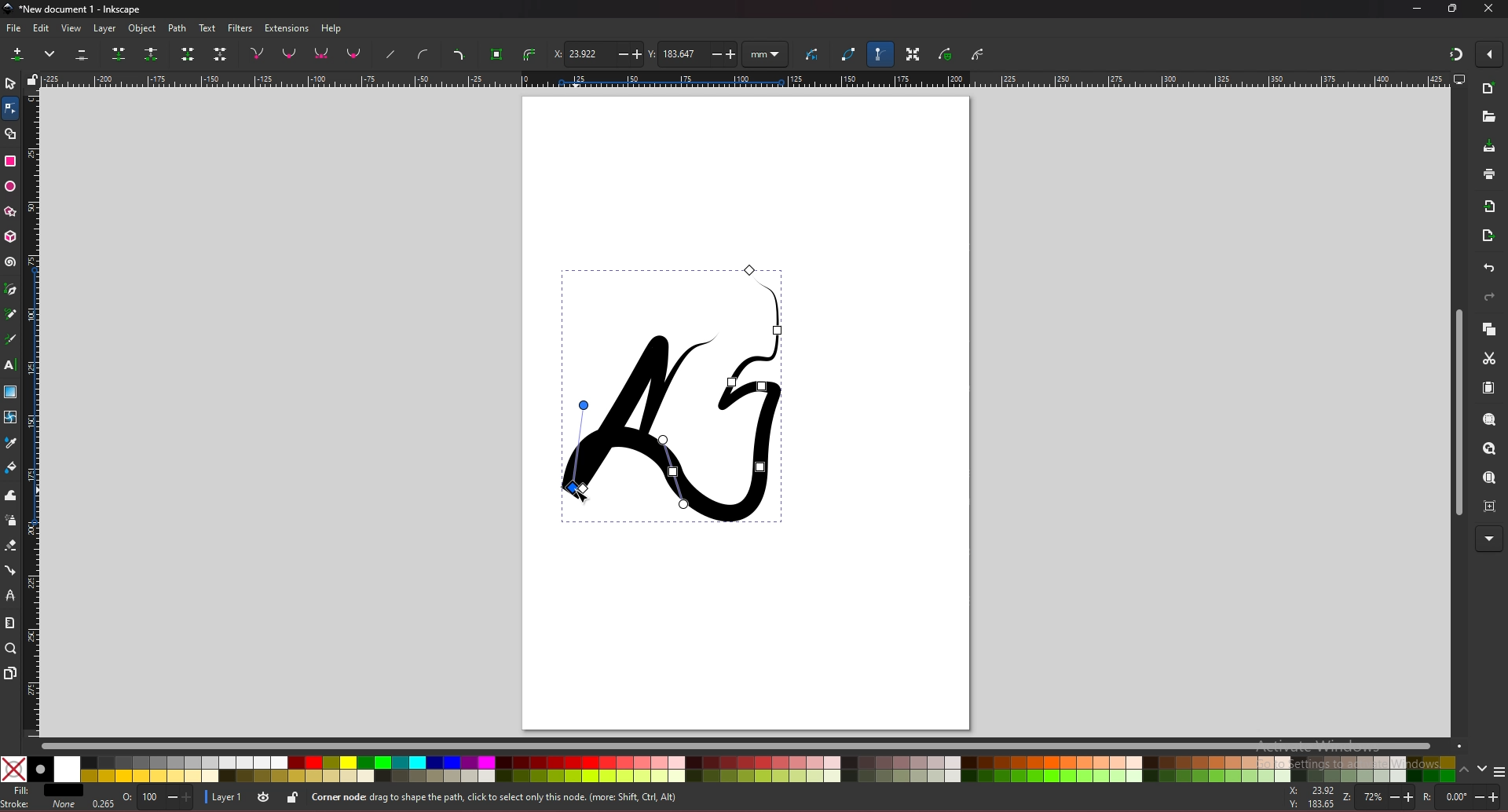 The image size is (1508, 812). Describe the element at coordinates (1489, 450) in the screenshot. I see `zoom drawing` at that location.